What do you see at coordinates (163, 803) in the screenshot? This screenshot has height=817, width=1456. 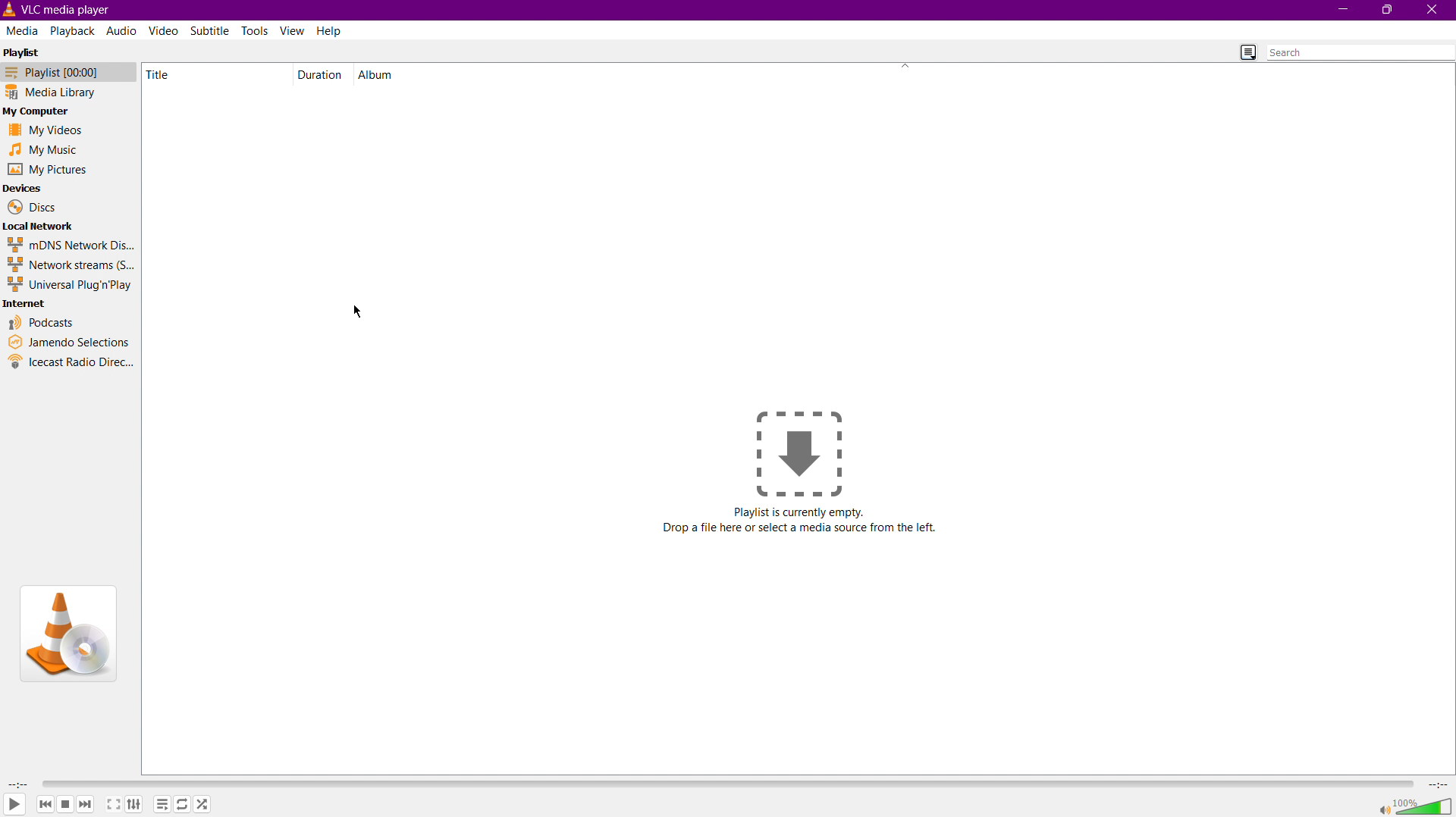 I see `Playlist` at bounding box center [163, 803].